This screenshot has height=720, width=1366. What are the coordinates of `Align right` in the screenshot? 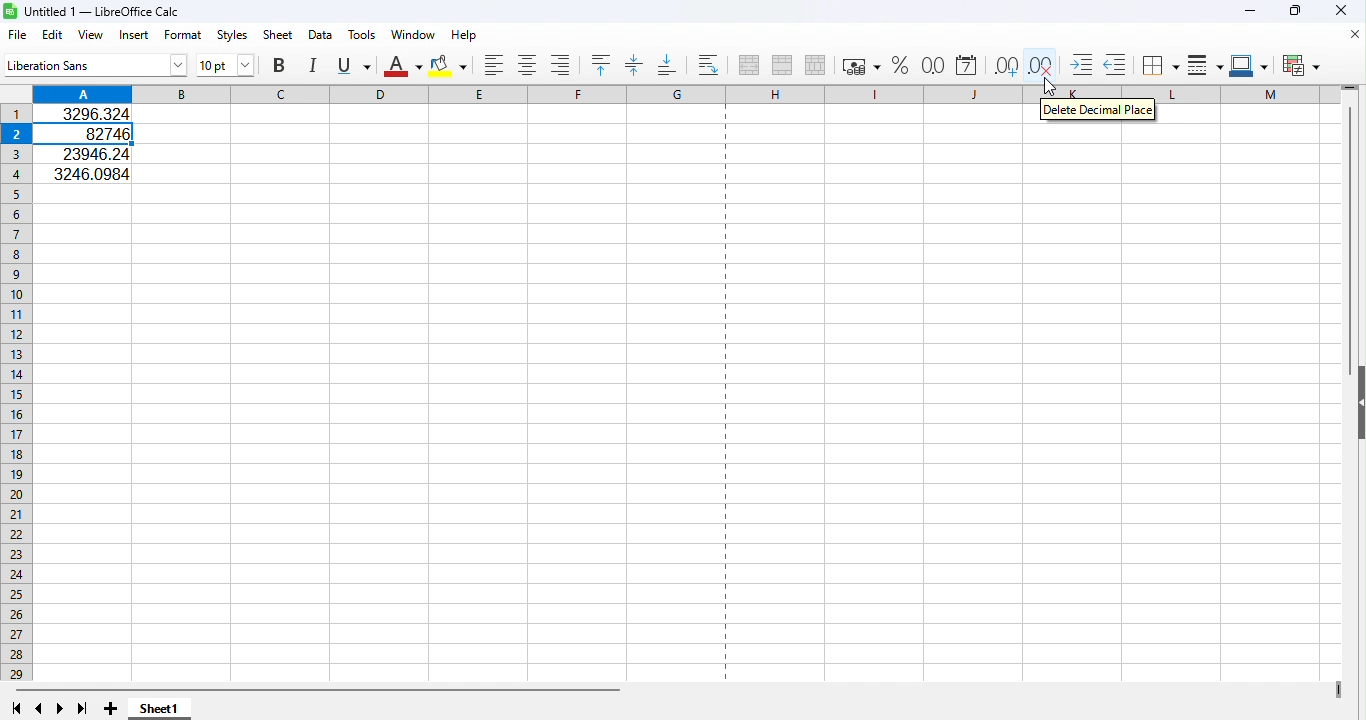 It's located at (557, 66).